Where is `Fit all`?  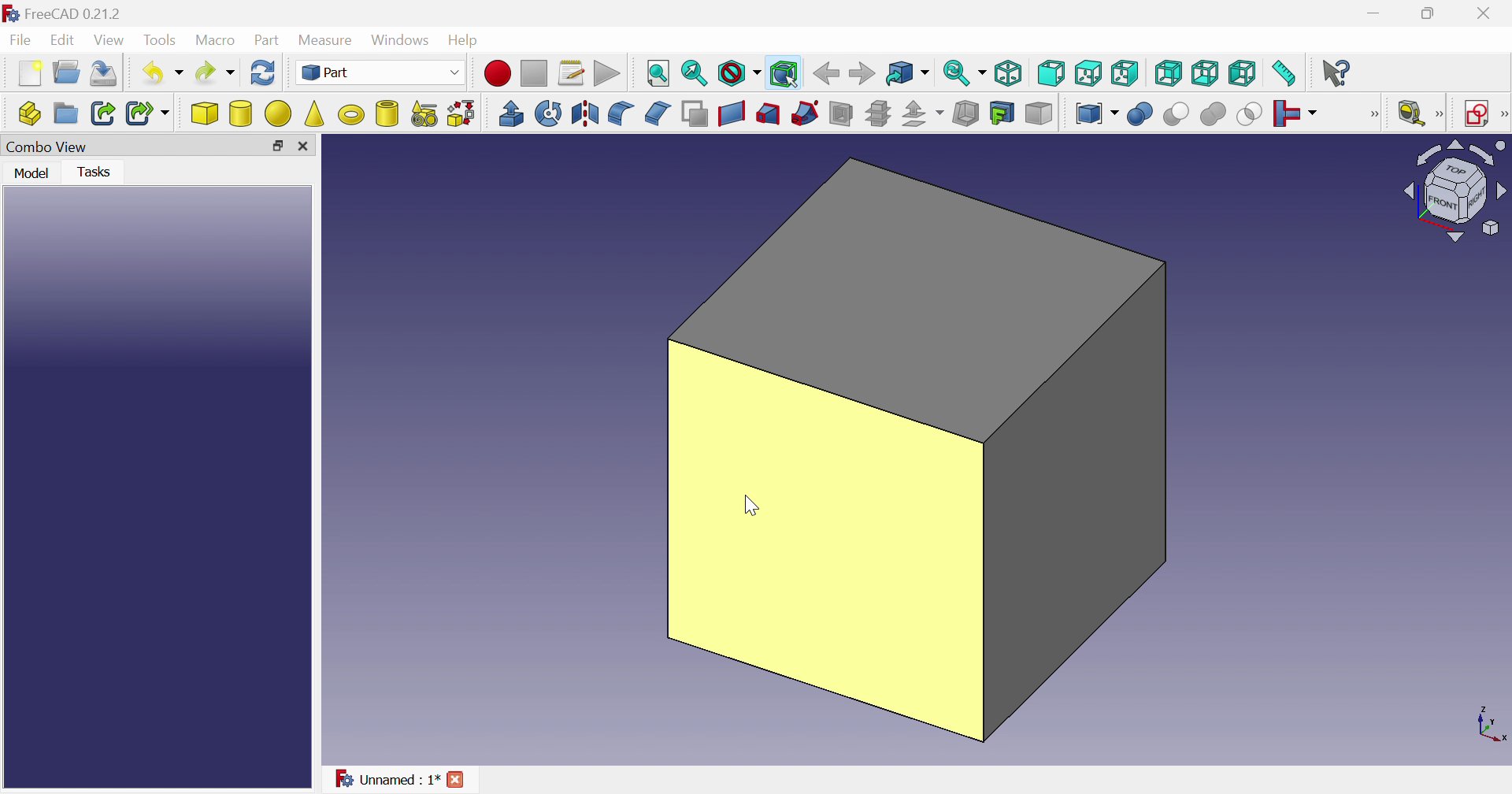
Fit all is located at coordinates (656, 74).